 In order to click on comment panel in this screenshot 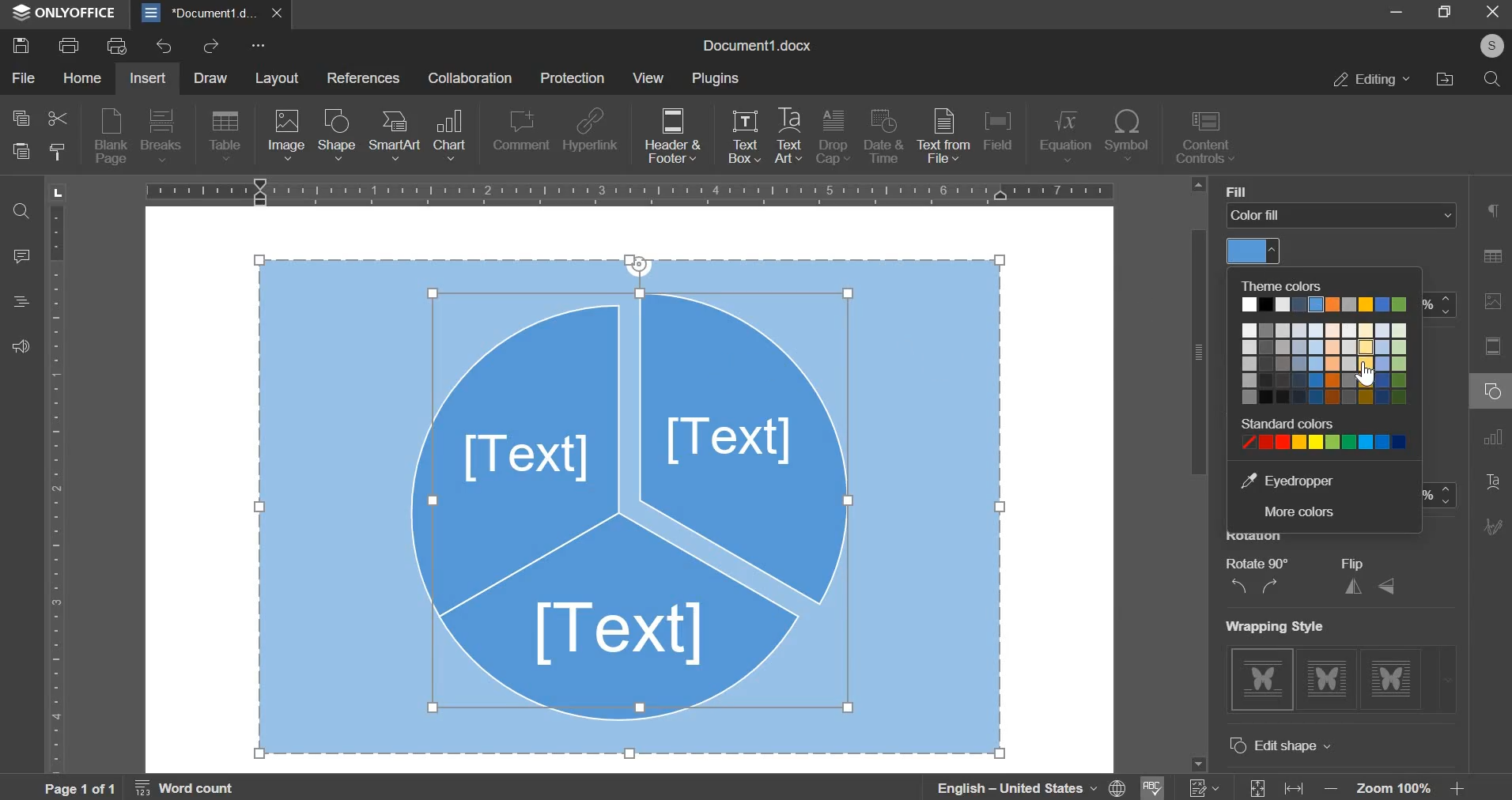, I will do `click(23, 258)`.